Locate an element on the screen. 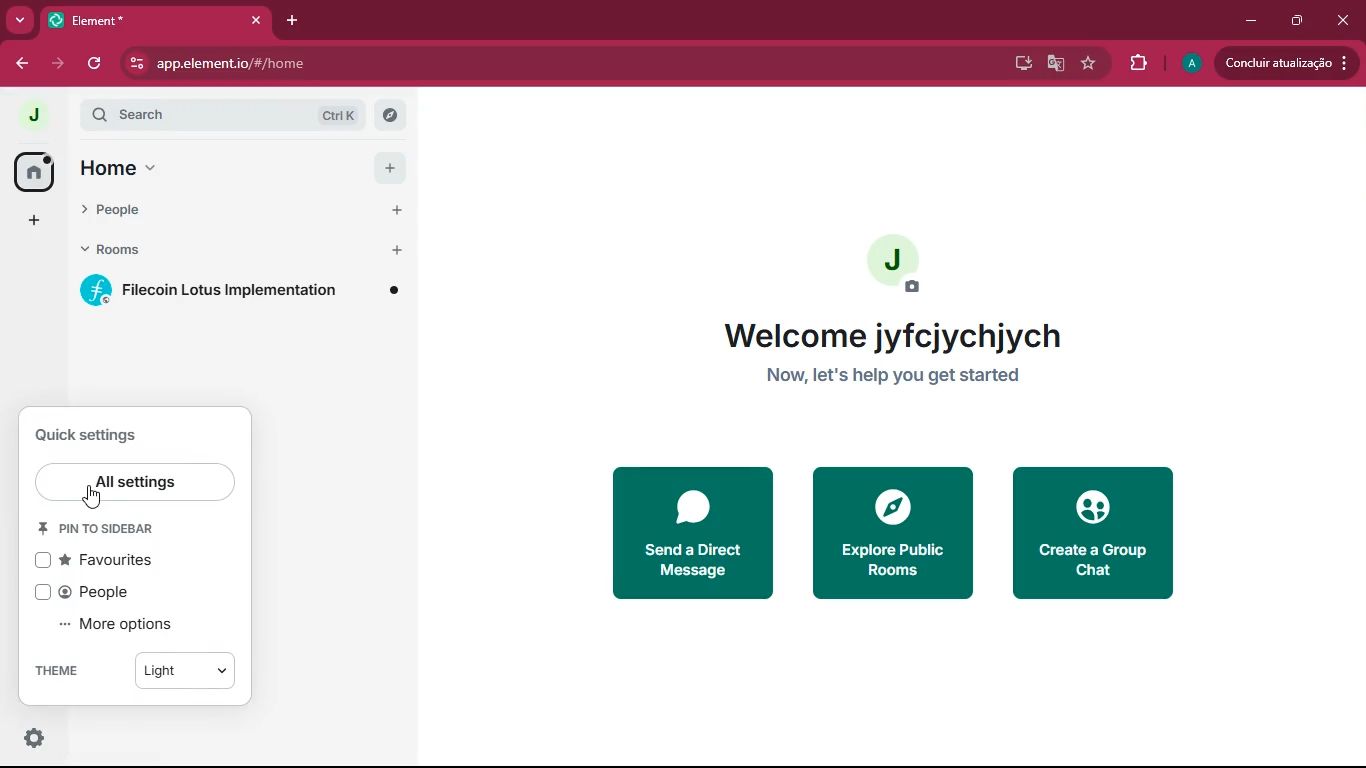 The height and width of the screenshot is (768, 1366). close is located at coordinates (1342, 20).